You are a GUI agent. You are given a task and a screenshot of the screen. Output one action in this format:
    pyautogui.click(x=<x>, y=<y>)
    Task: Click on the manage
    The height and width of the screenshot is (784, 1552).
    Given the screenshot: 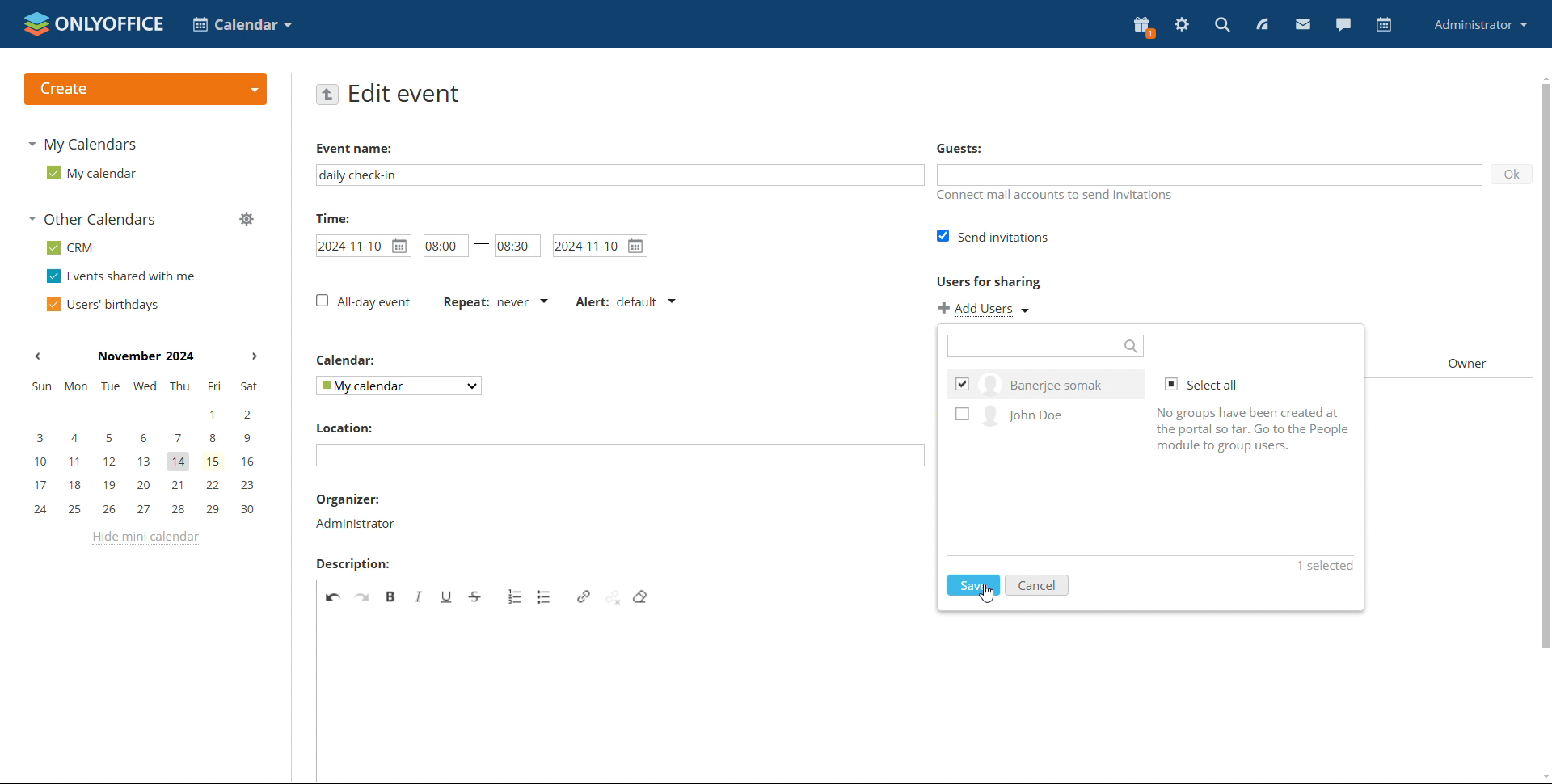 What is the action you would take?
    pyautogui.click(x=246, y=218)
    